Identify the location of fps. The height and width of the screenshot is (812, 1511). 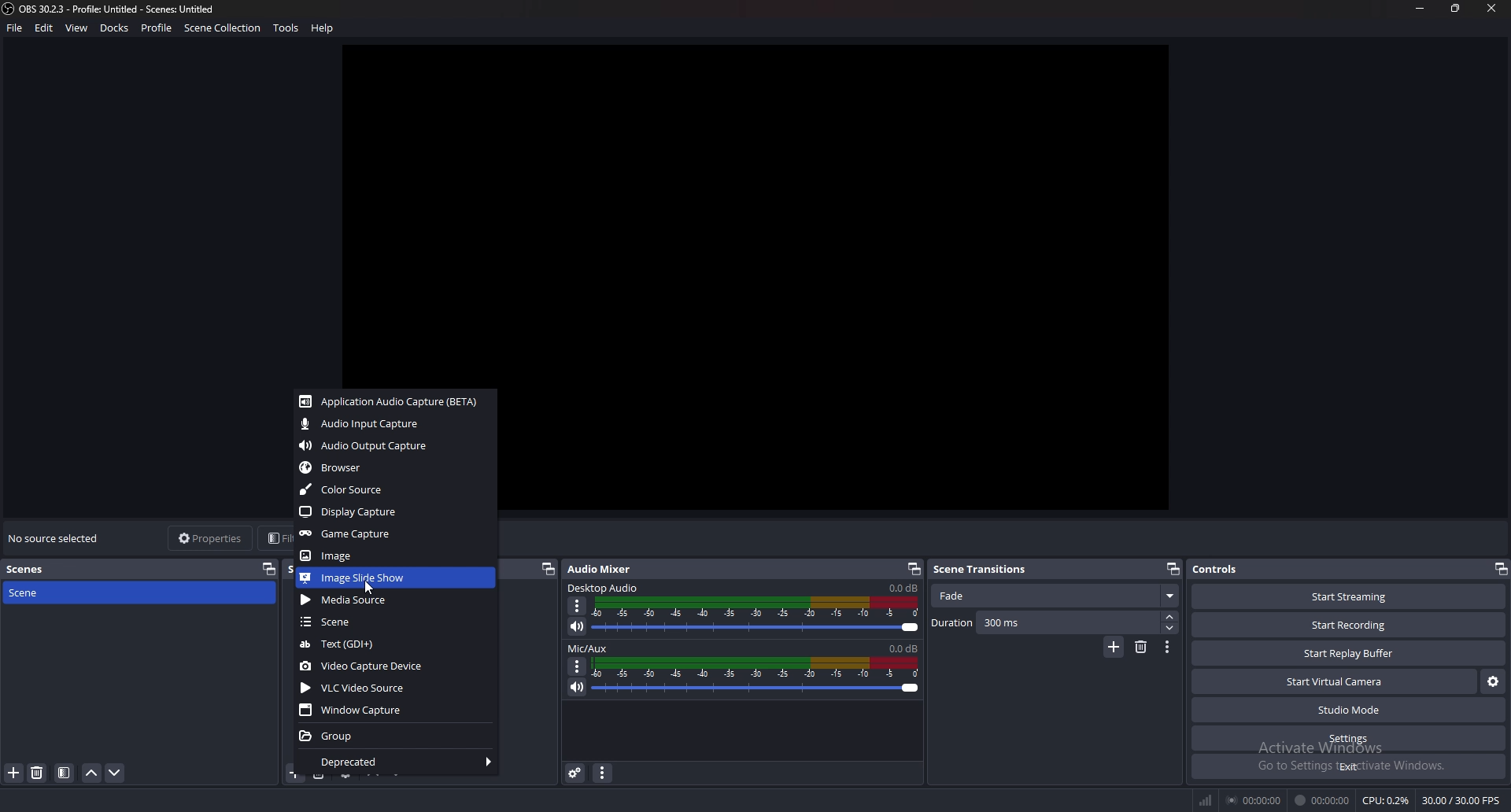
(1461, 800).